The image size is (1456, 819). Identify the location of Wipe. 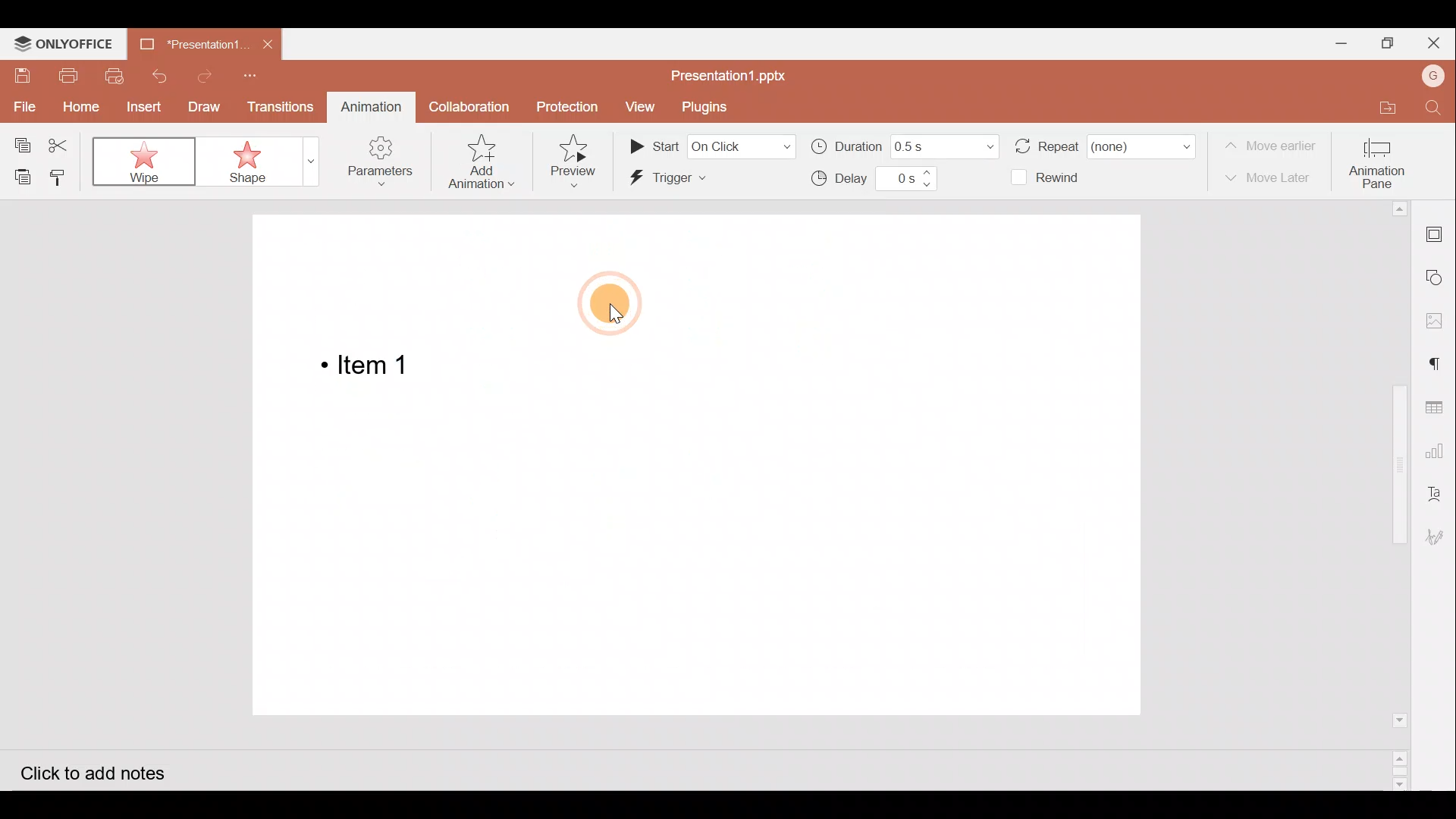
(149, 161).